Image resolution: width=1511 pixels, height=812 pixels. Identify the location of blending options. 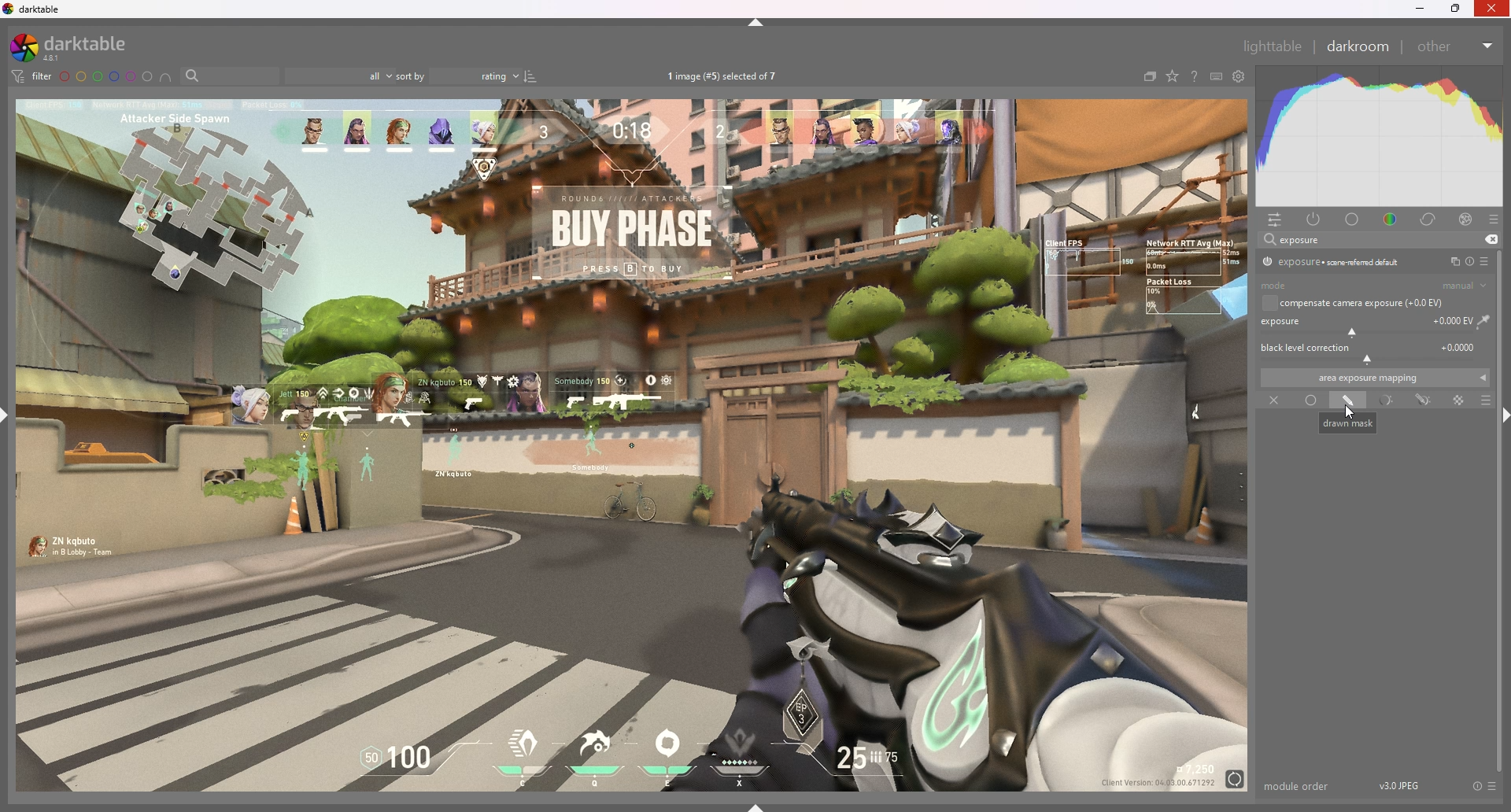
(1487, 401).